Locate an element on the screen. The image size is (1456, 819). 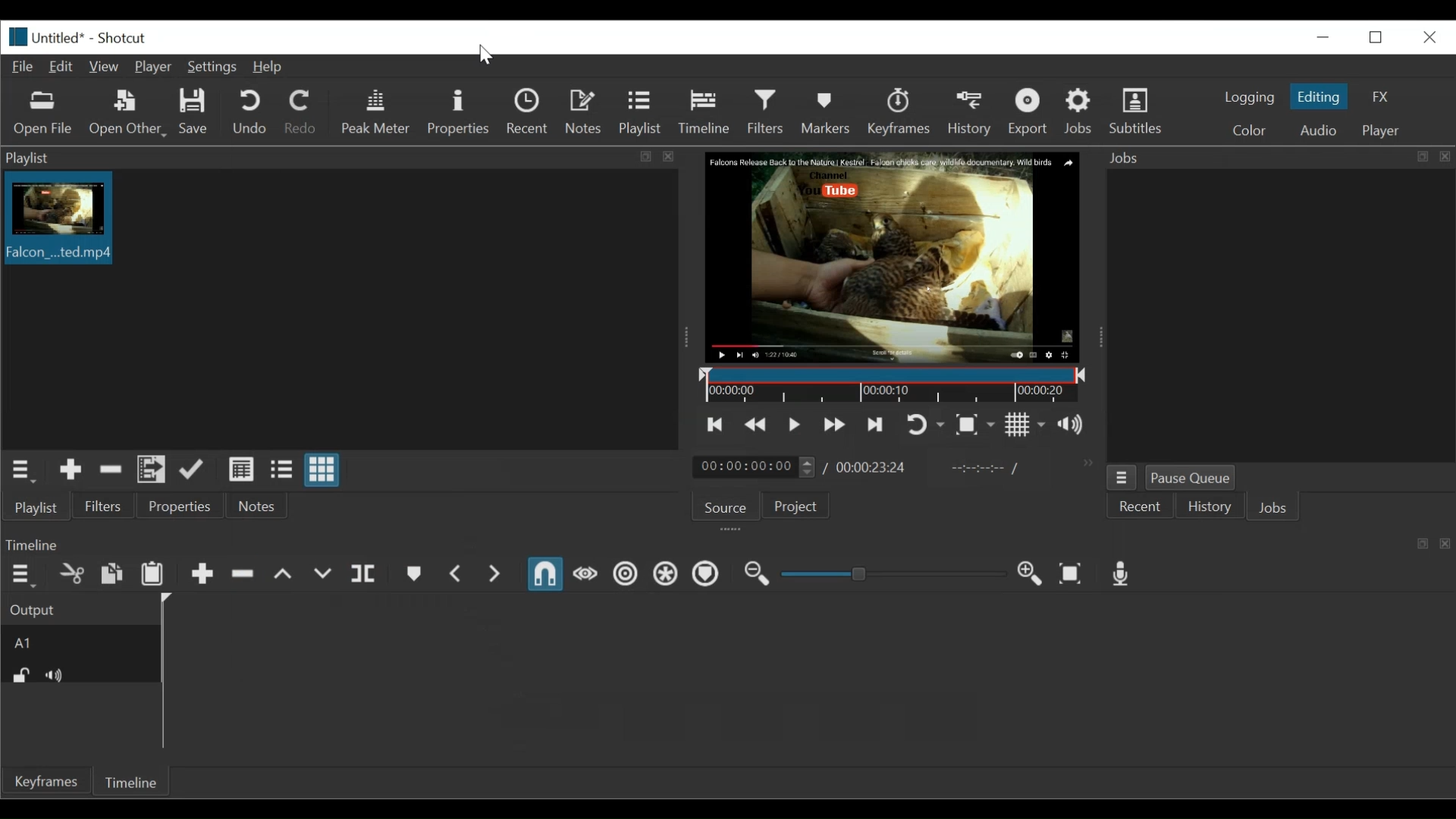
FX is located at coordinates (1380, 98).